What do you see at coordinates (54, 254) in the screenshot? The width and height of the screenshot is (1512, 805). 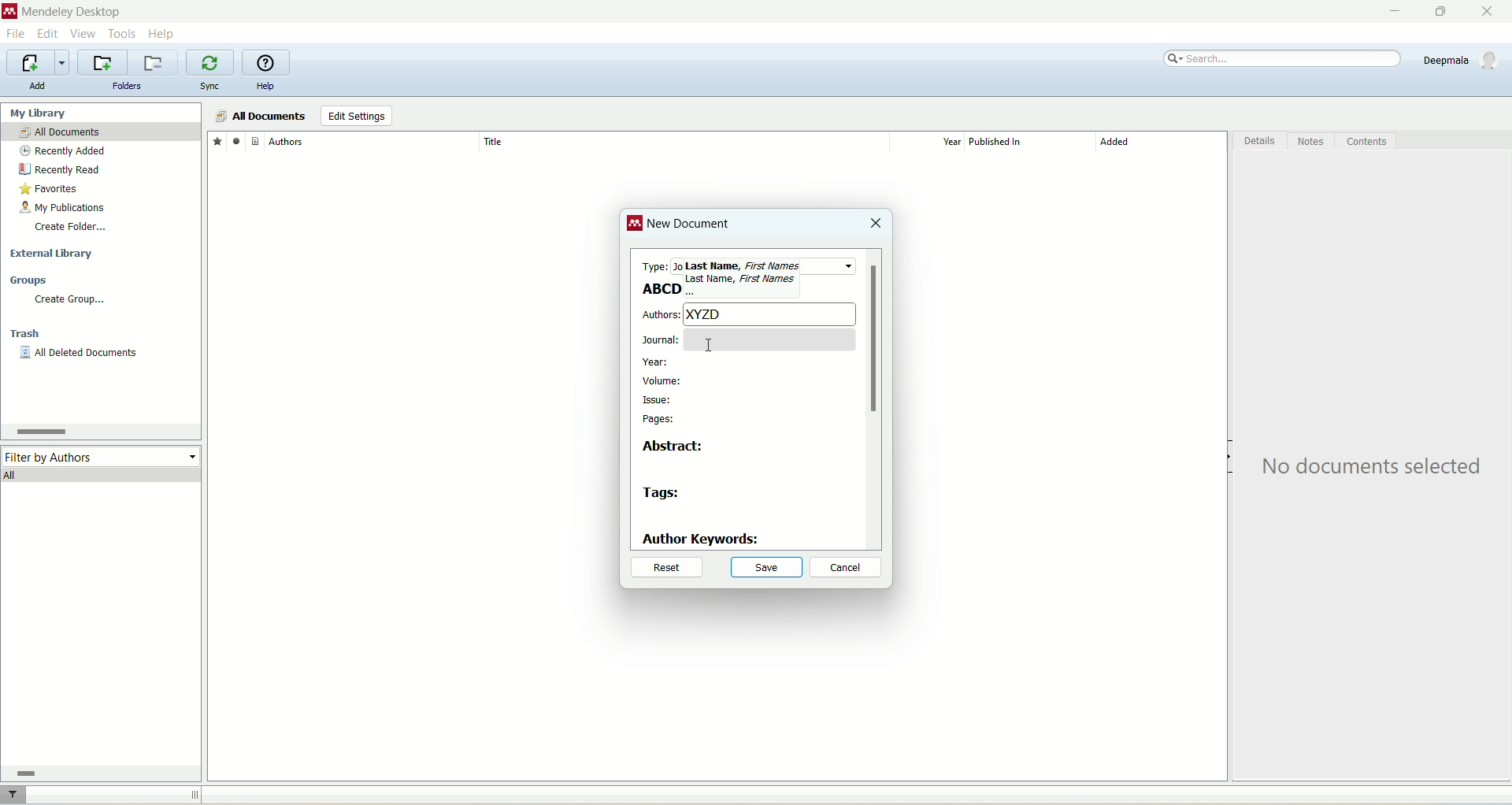 I see `external library` at bounding box center [54, 254].